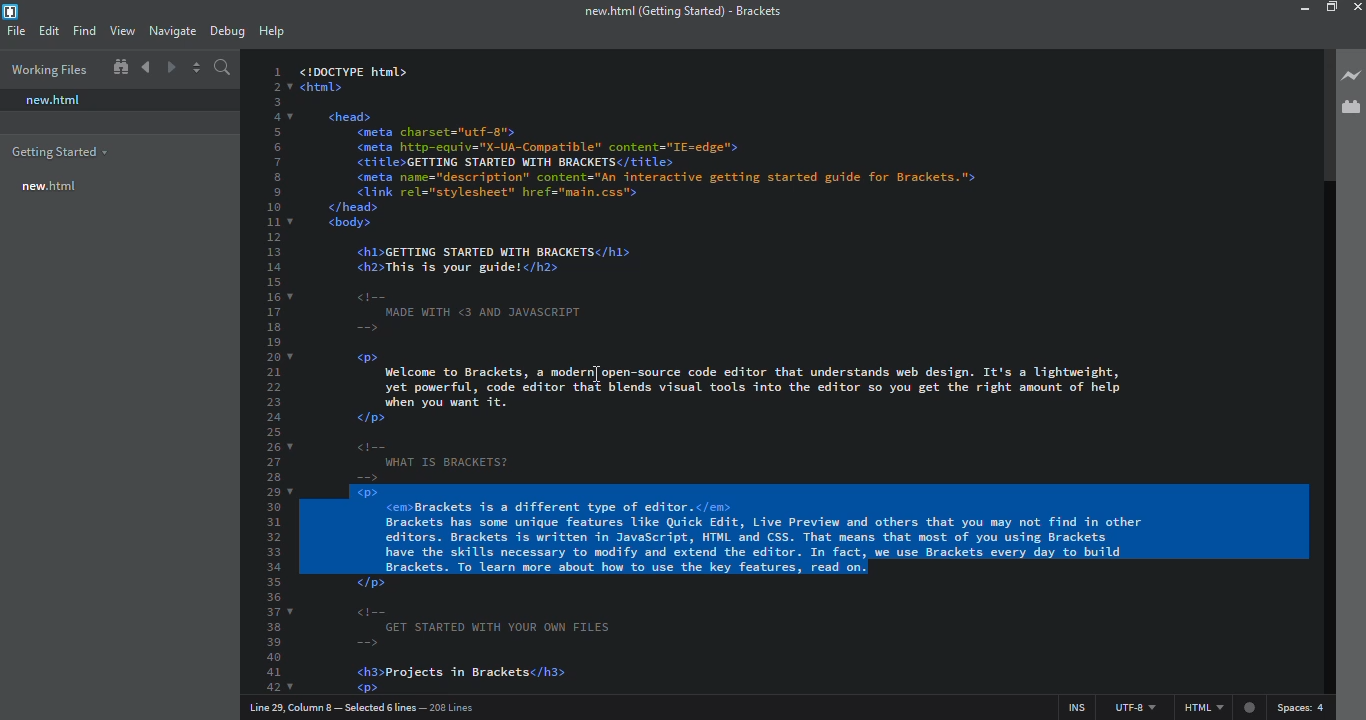  What do you see at coordinates (223, 68) in the screenshot?
I see `search` at bounding box center [223, 68].